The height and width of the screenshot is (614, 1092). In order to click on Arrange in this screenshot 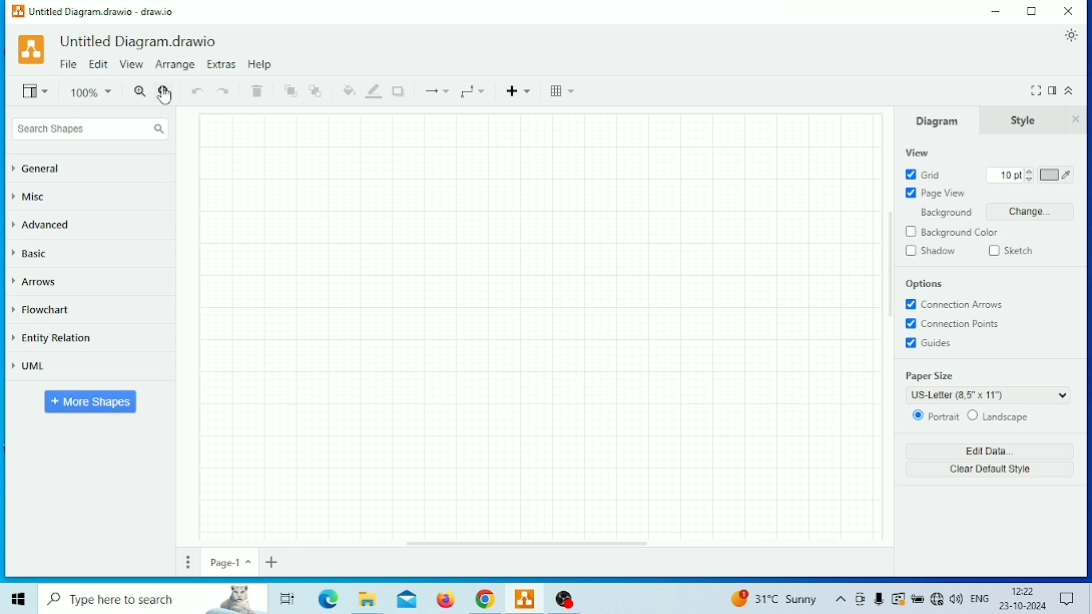, I will do `click(174, 64)`.